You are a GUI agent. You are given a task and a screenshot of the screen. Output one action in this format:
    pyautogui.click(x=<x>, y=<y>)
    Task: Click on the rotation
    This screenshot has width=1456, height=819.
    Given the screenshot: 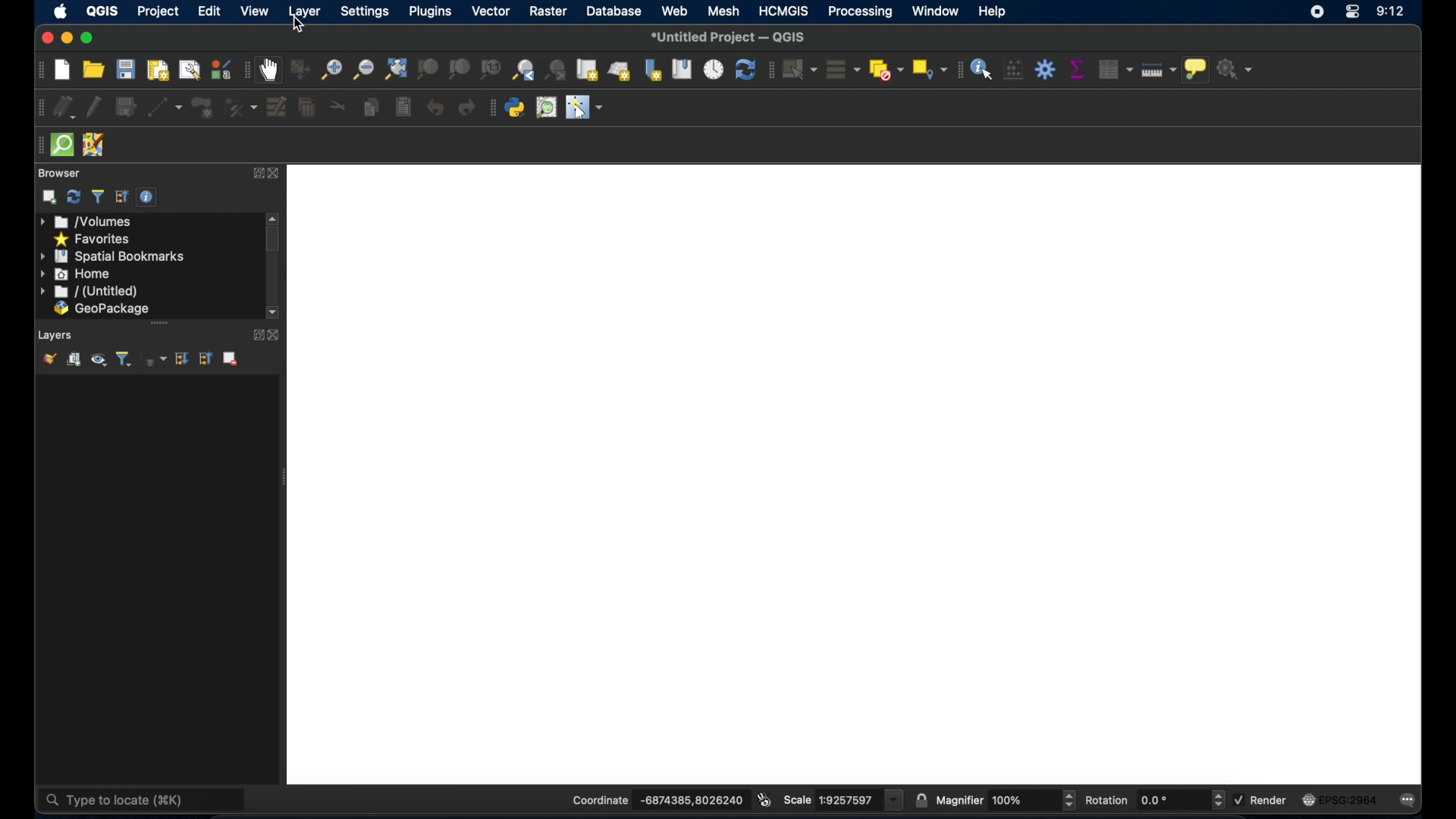 What is the action you would take?
    pyautogui.click(x=1155, y=800)
    